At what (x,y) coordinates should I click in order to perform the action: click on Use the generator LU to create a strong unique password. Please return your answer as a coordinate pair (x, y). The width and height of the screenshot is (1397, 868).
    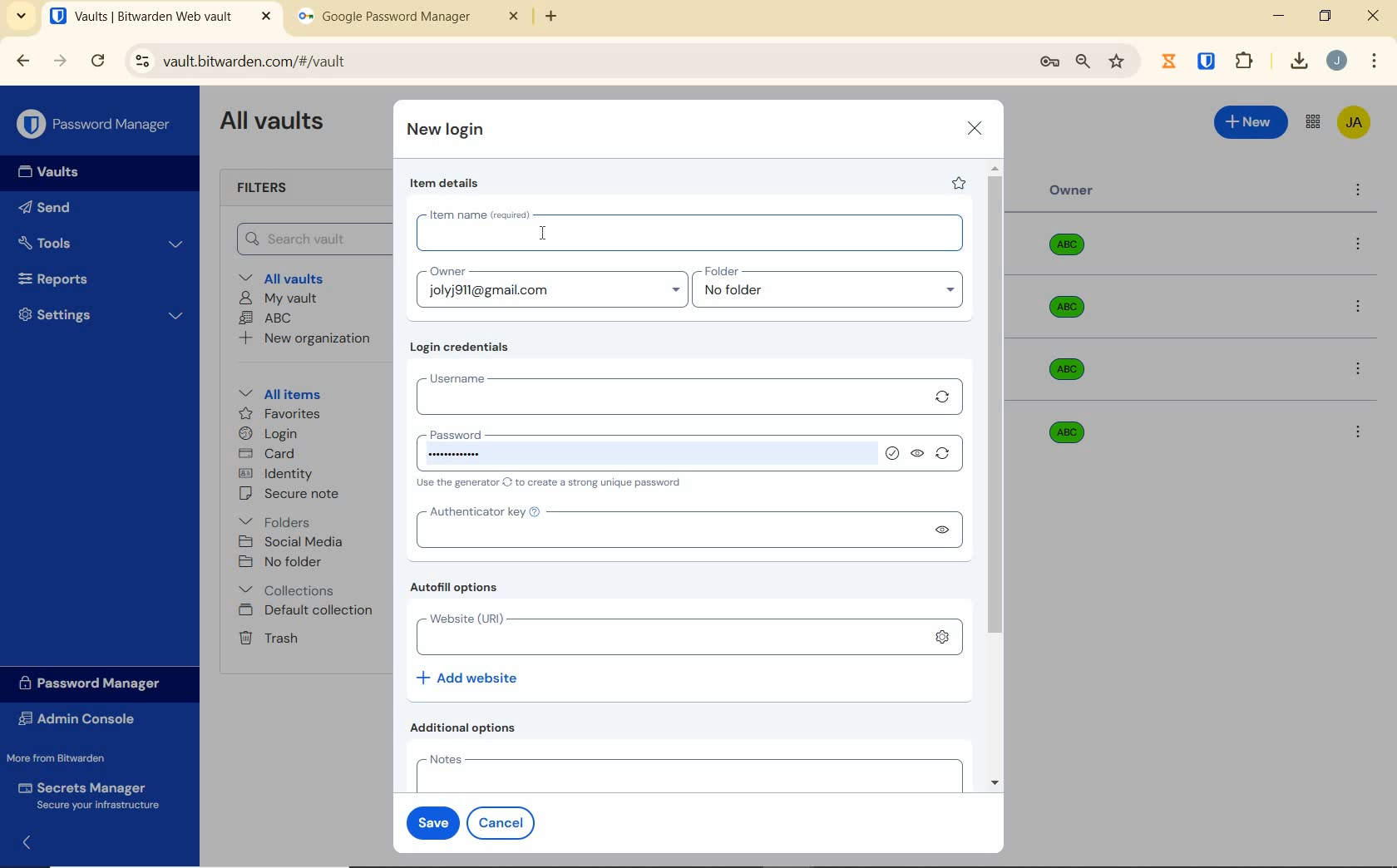
    Looking at the image, I should click on (556, 484).